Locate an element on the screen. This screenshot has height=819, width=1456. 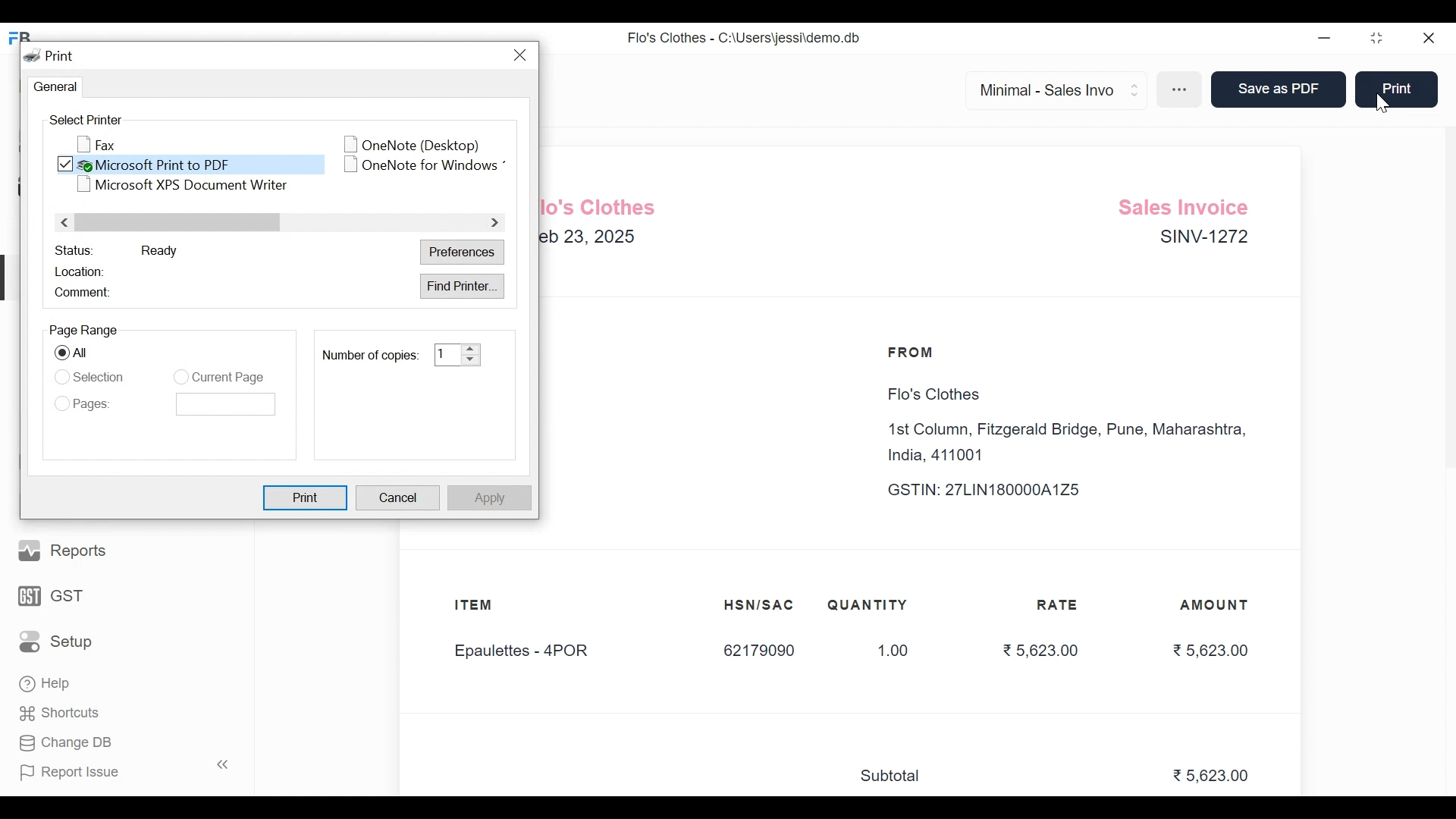
Apply is located at coordinates (488, 497).